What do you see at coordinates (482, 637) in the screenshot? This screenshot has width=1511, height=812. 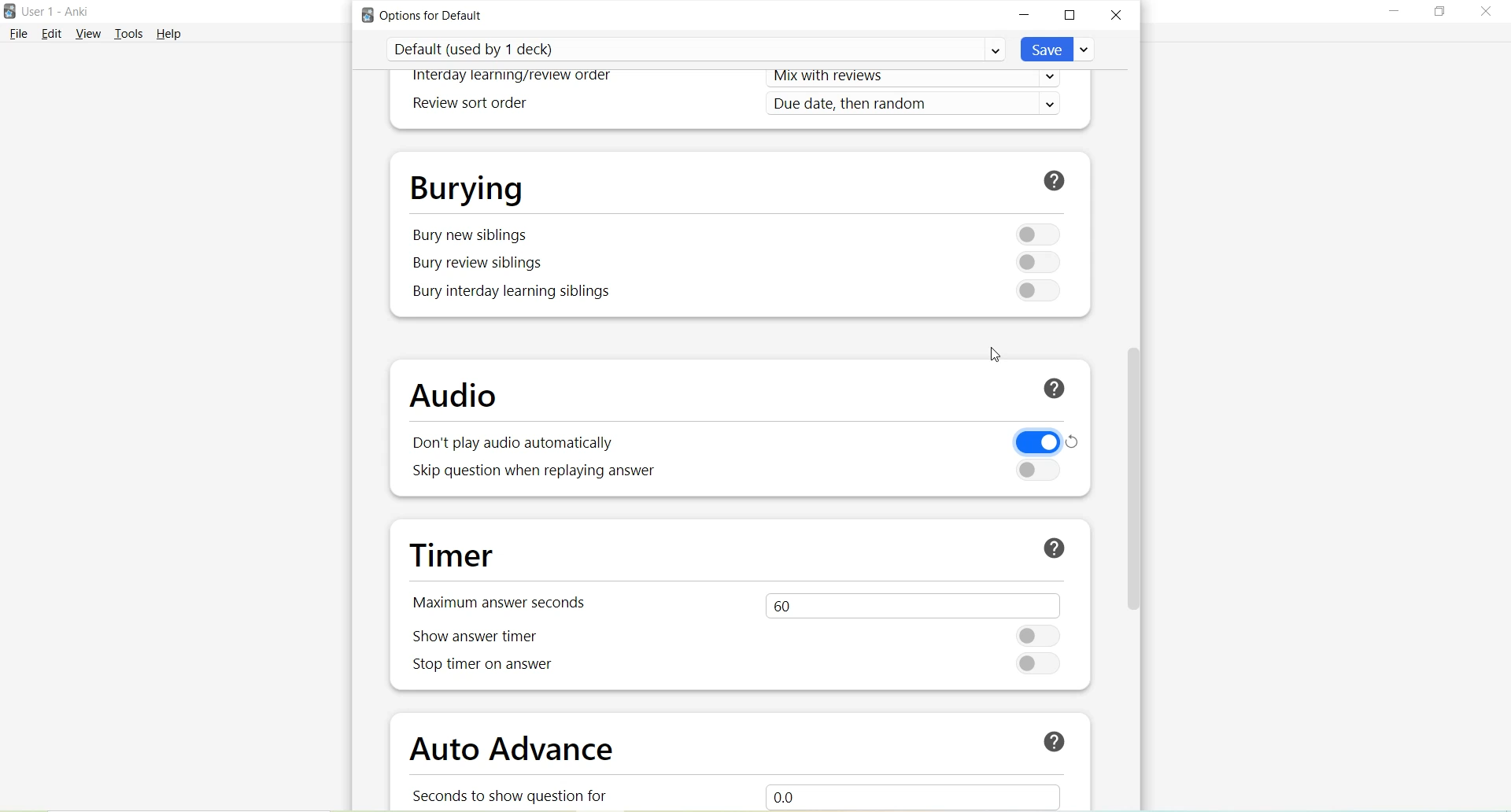 I see `Show answer timer` at bounding box center [482, 637].